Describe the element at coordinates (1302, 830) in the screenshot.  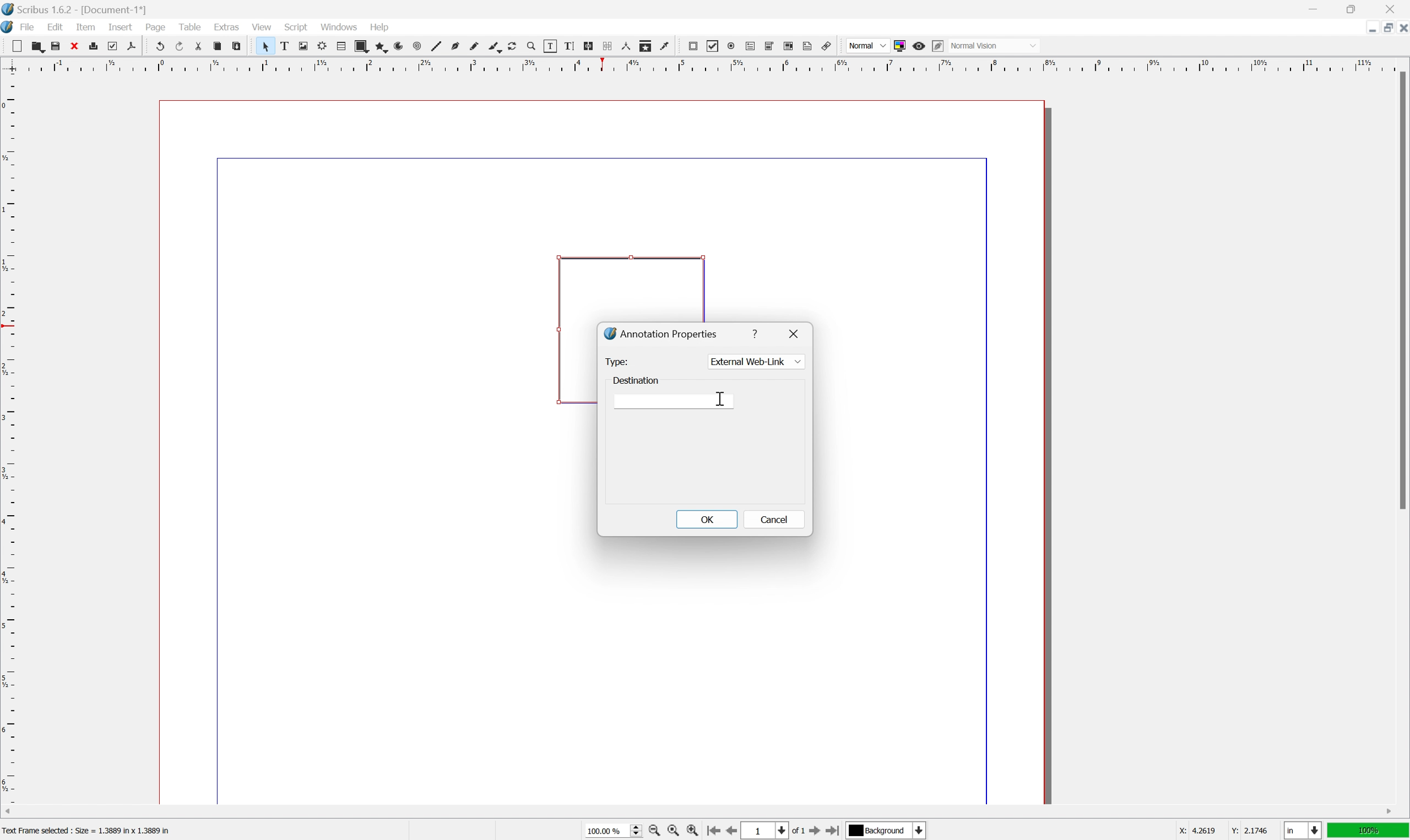
I see `select current unit` at that location.